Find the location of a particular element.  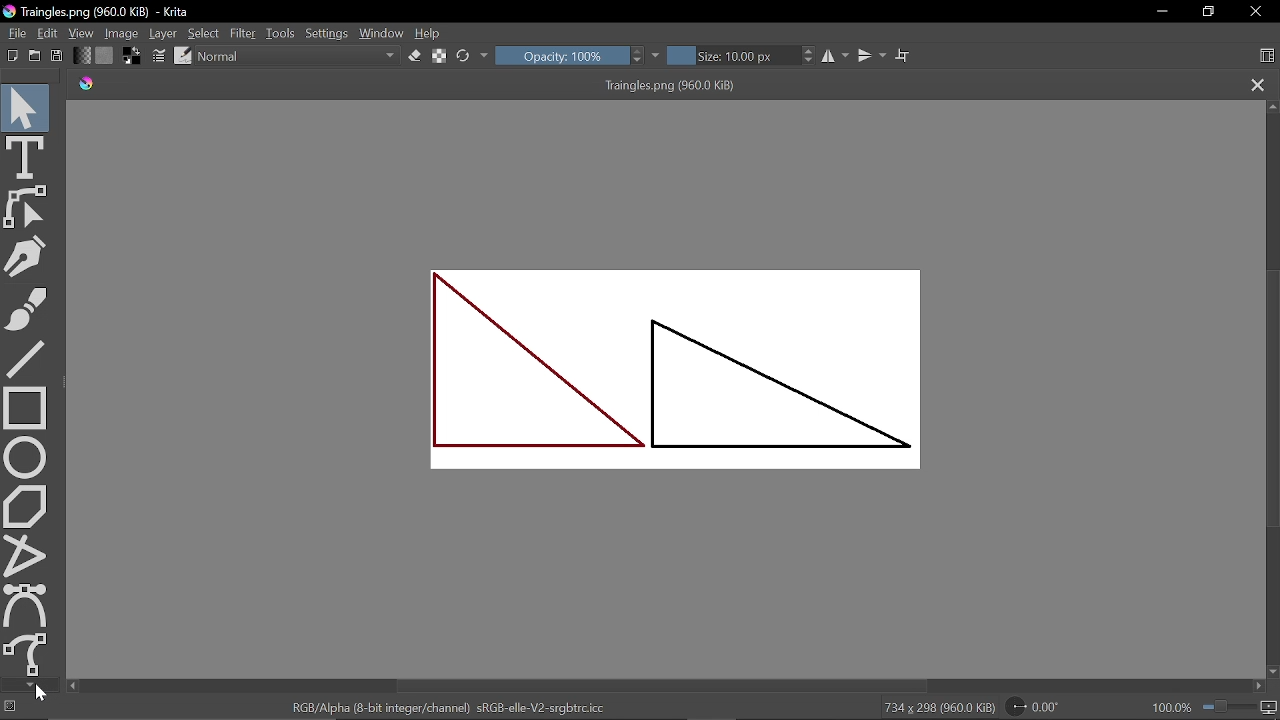

Ellipse tool is located at coordinates (26, 457).